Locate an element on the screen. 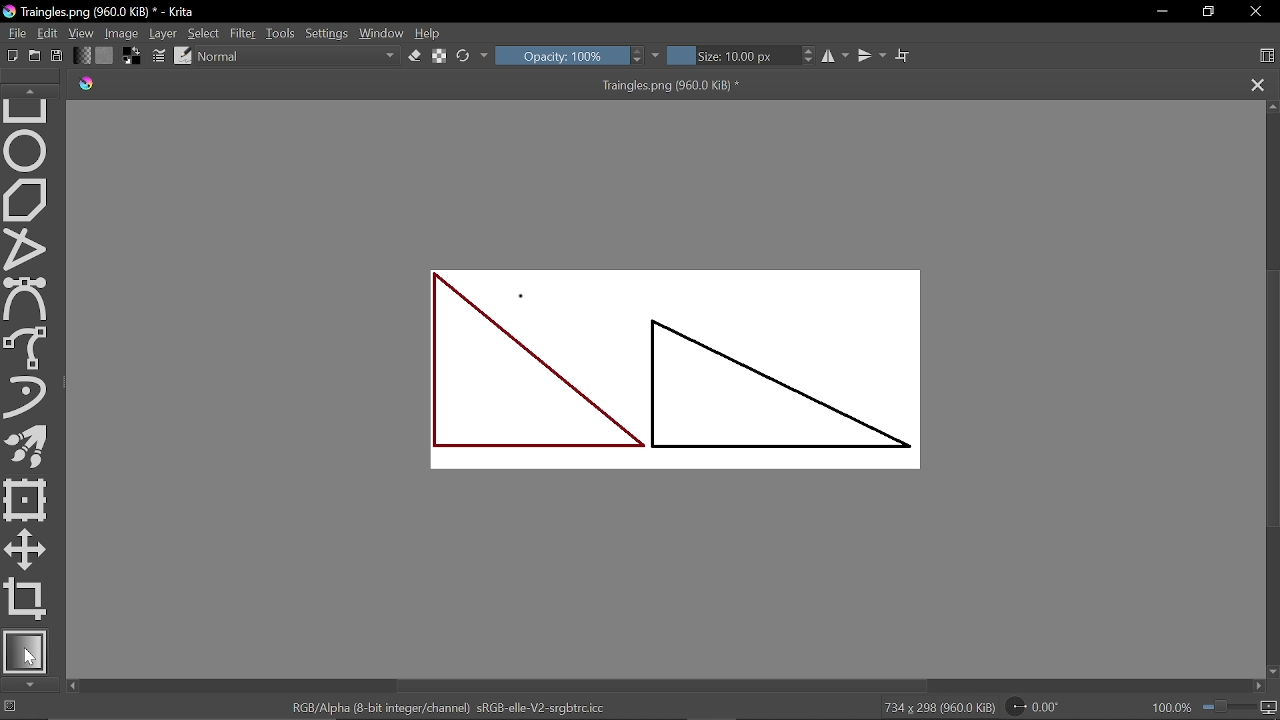  Crop tool is located at coordinates (27, 600).